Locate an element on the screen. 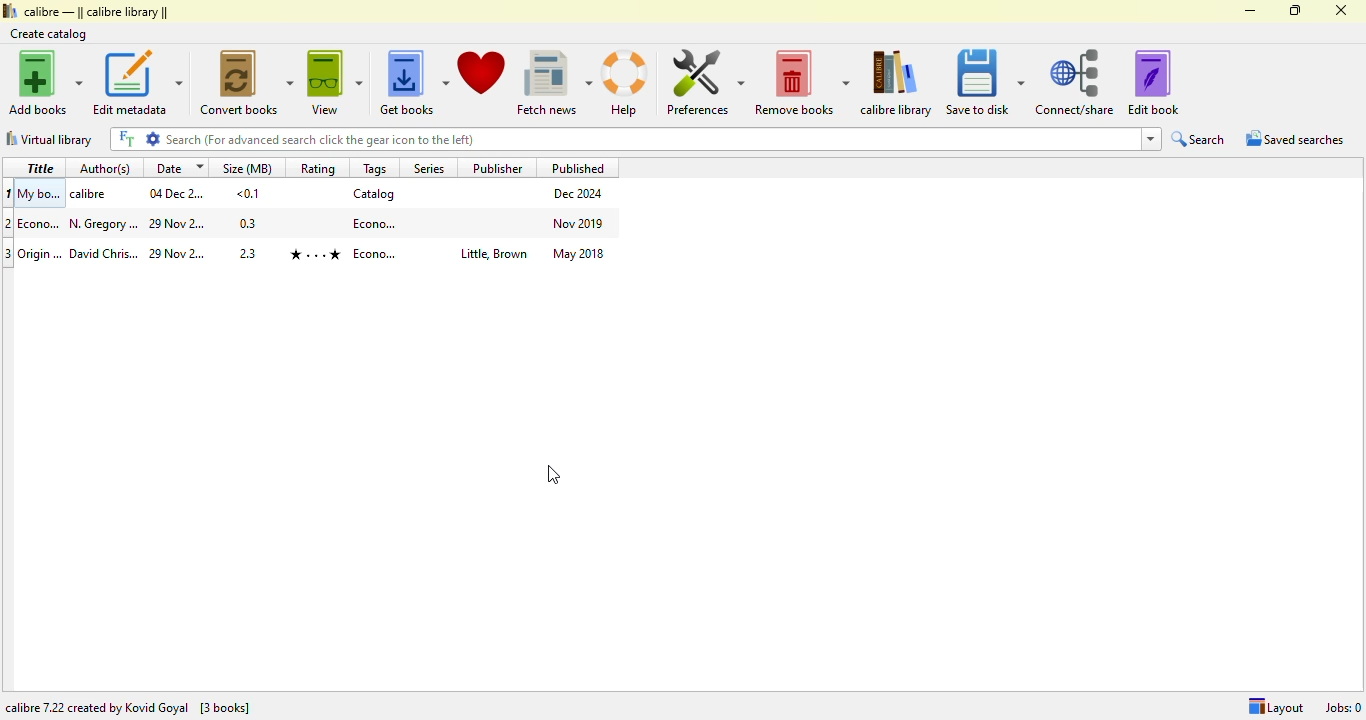  saved searches is located at coordinates (1295, 139).